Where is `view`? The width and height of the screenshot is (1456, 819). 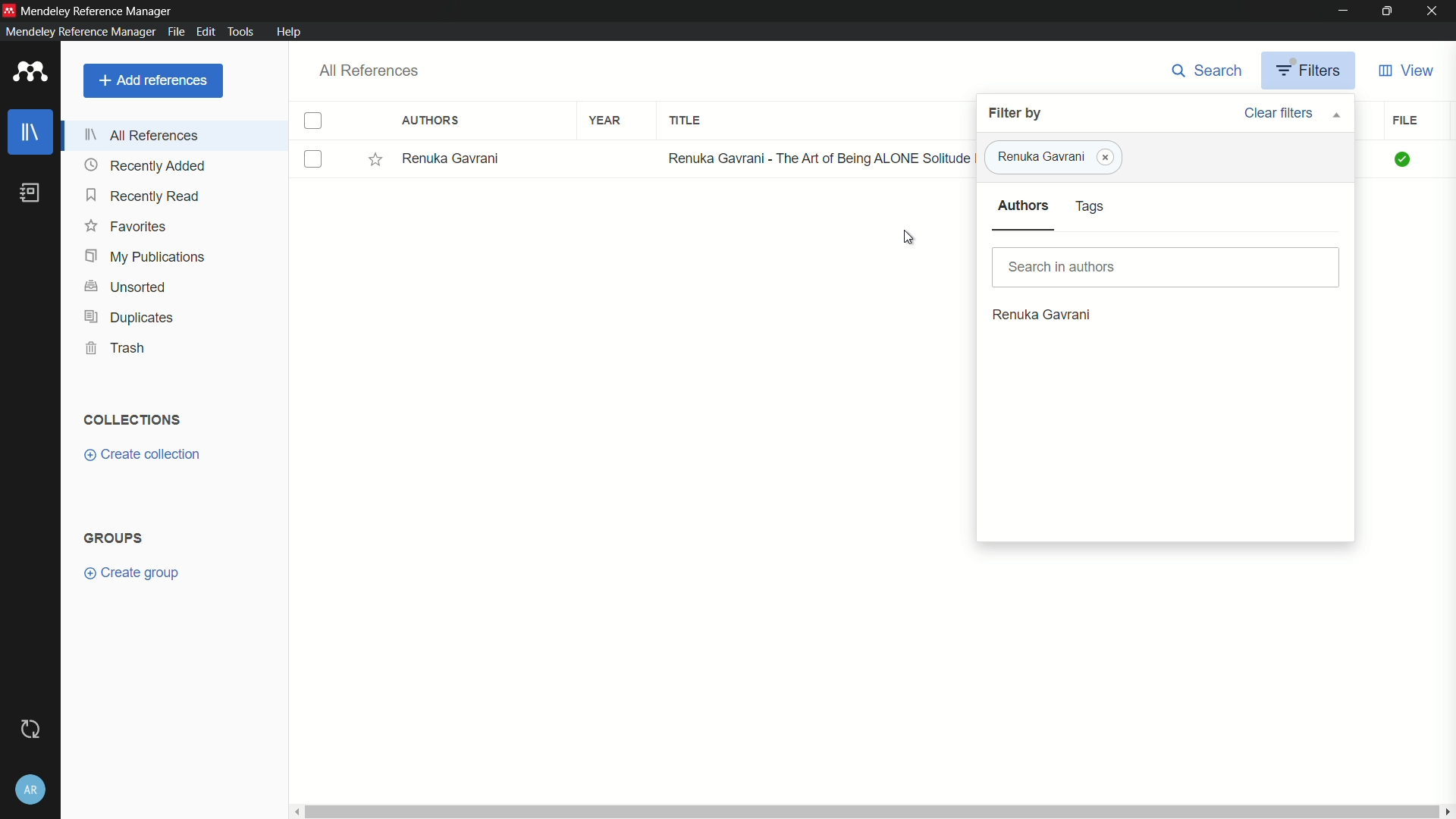
view is located at coordinates (1407, 71).